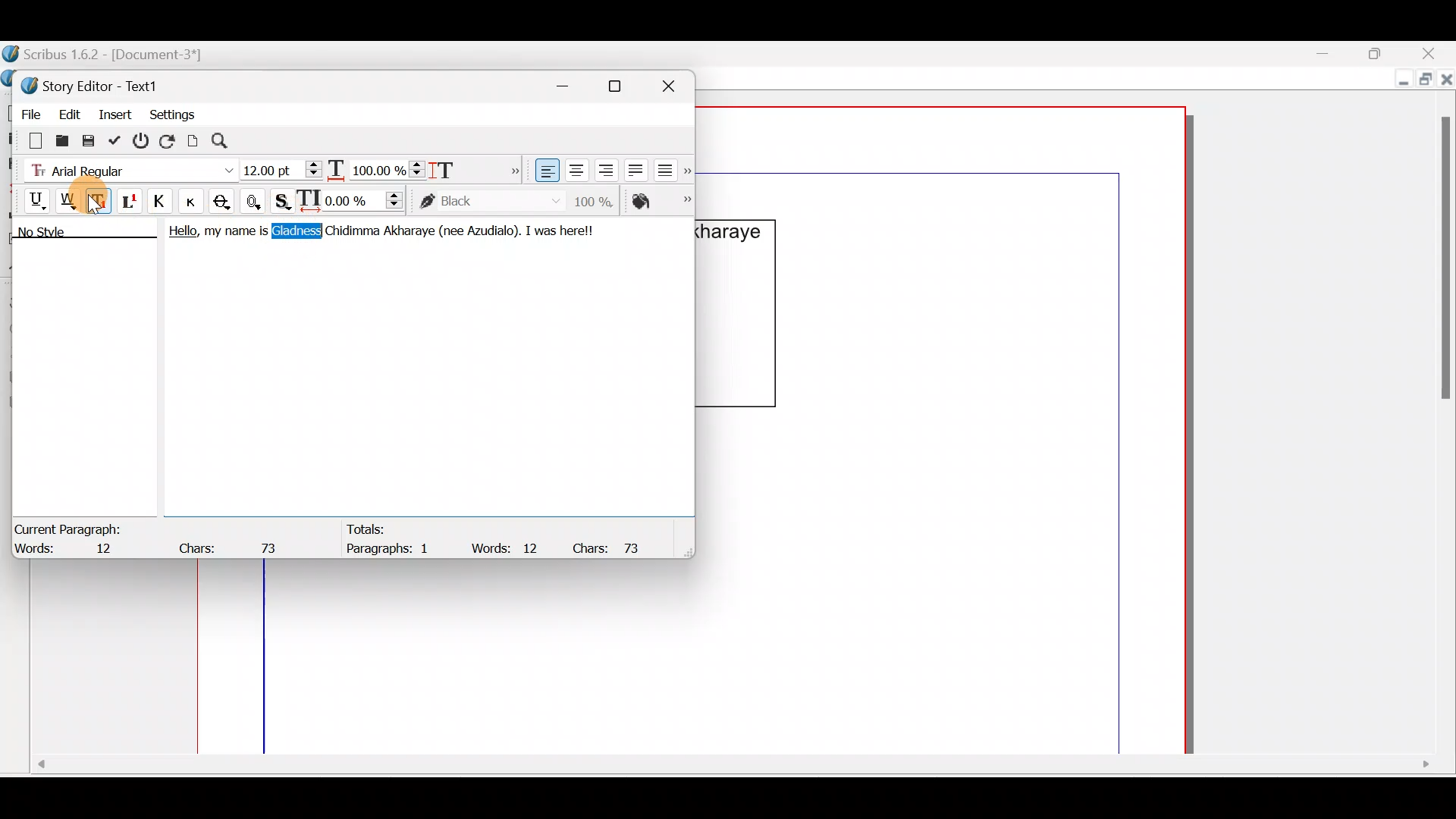 The image size is (1456, 819). What do you see at coordinates (284, 199) in the screenshot?
I see `Shadowed text` at bounding box center [284, 199].